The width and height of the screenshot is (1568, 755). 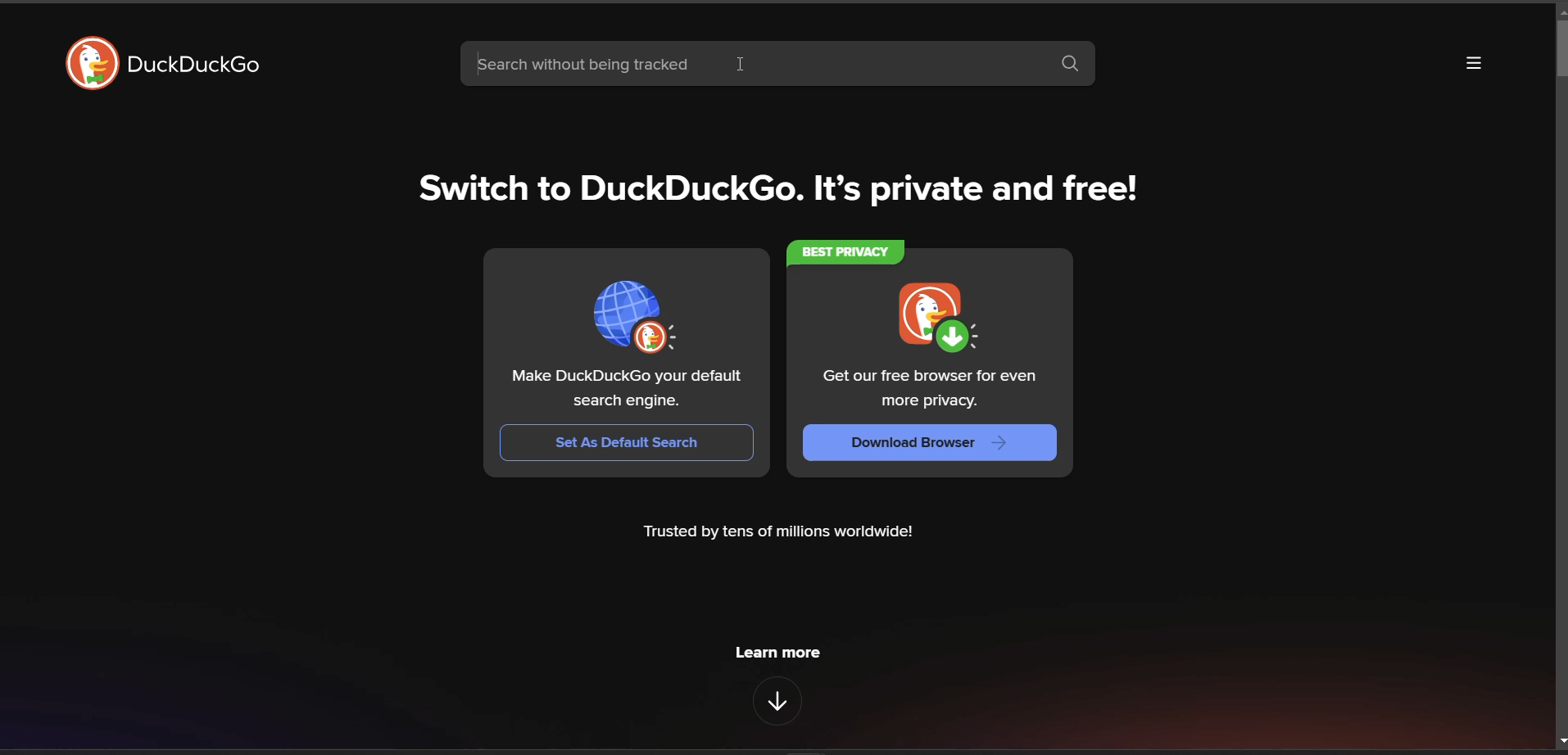 What do you see at coordinates (780, 653) in the screenshot?
I see `learn more` at bounding box center [780, 653].